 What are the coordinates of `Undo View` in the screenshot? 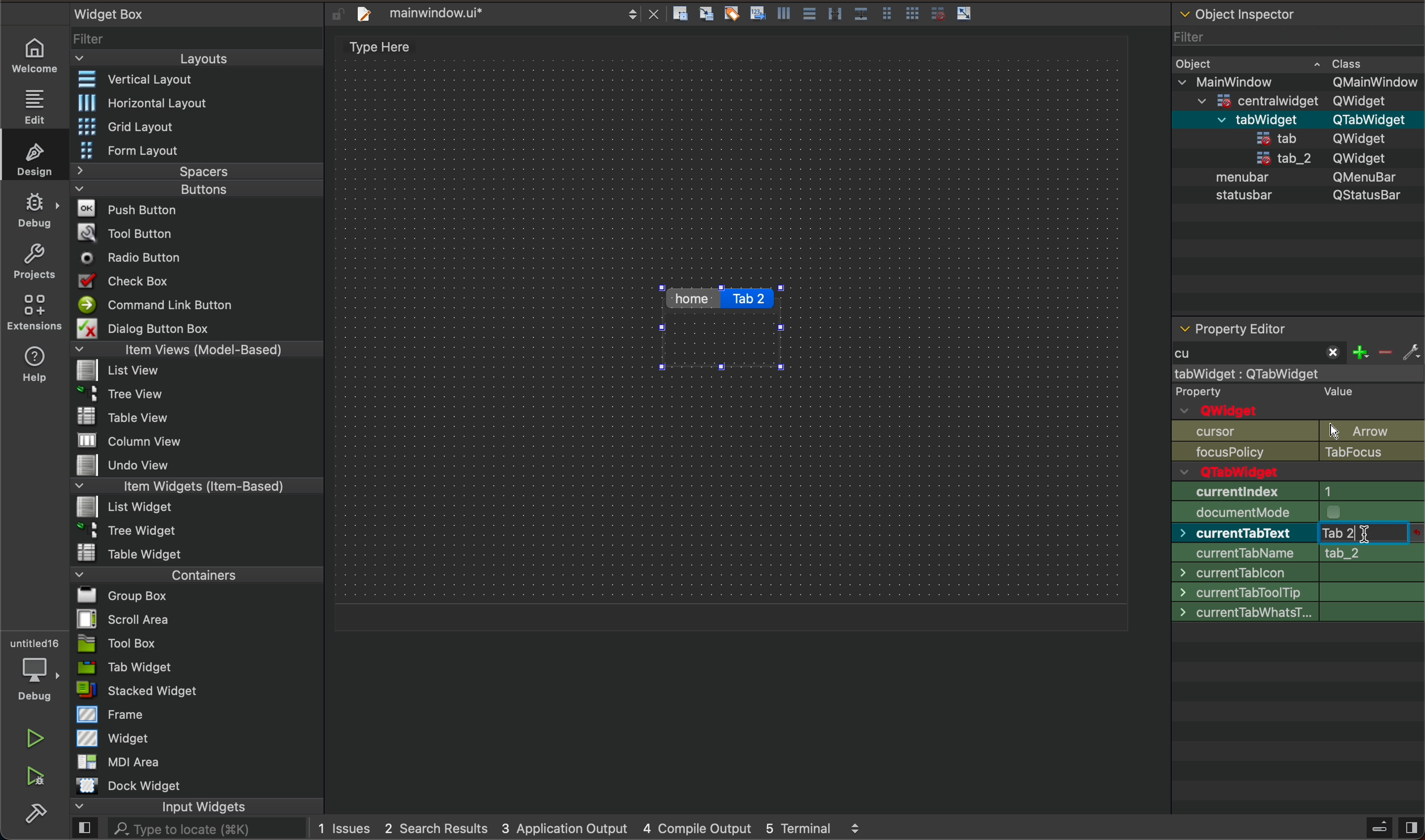 It's located at (117, 466).